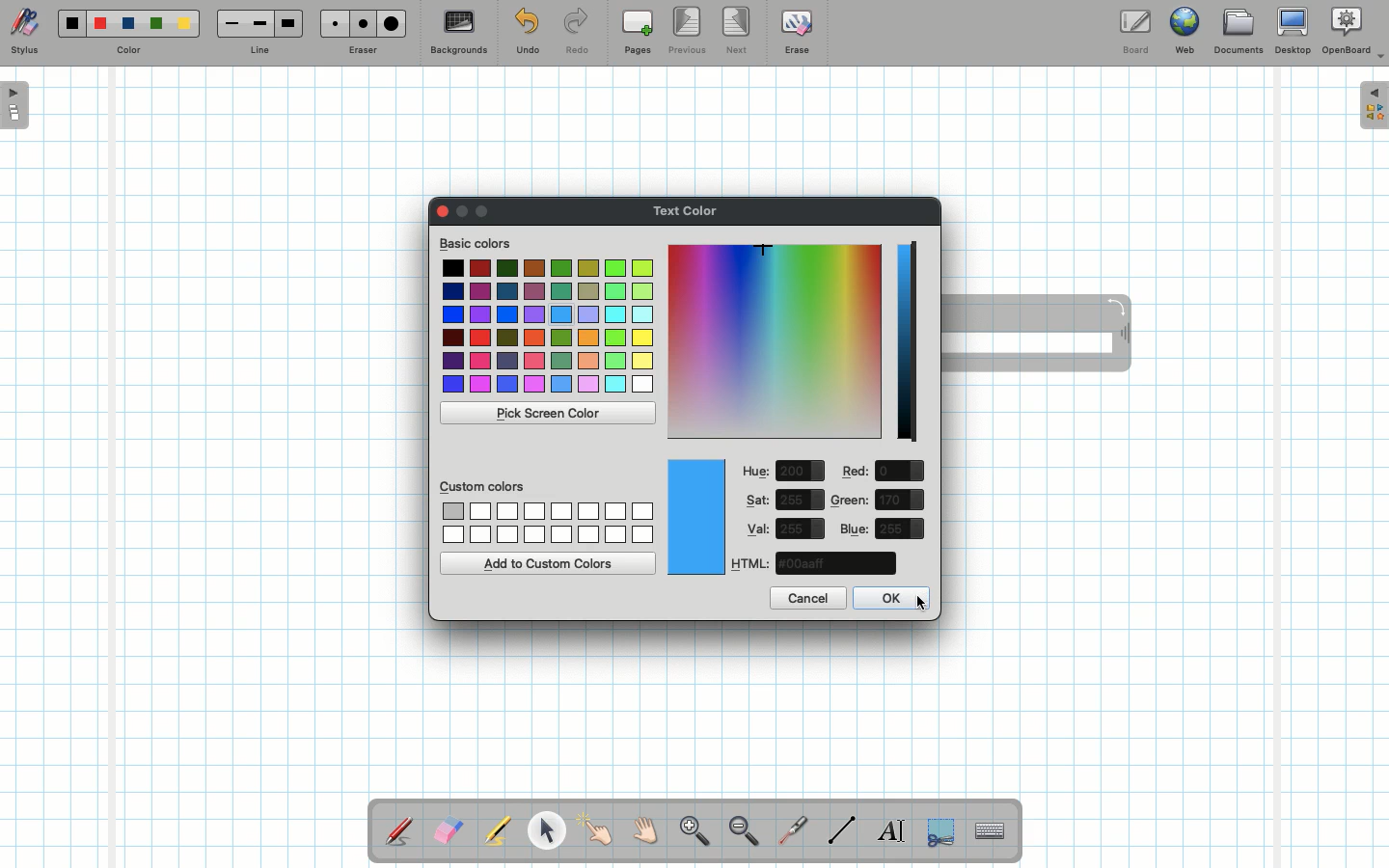  Describe the element at coordinates (1295, 31) in the screenshot. I see `Desktop` at that location.